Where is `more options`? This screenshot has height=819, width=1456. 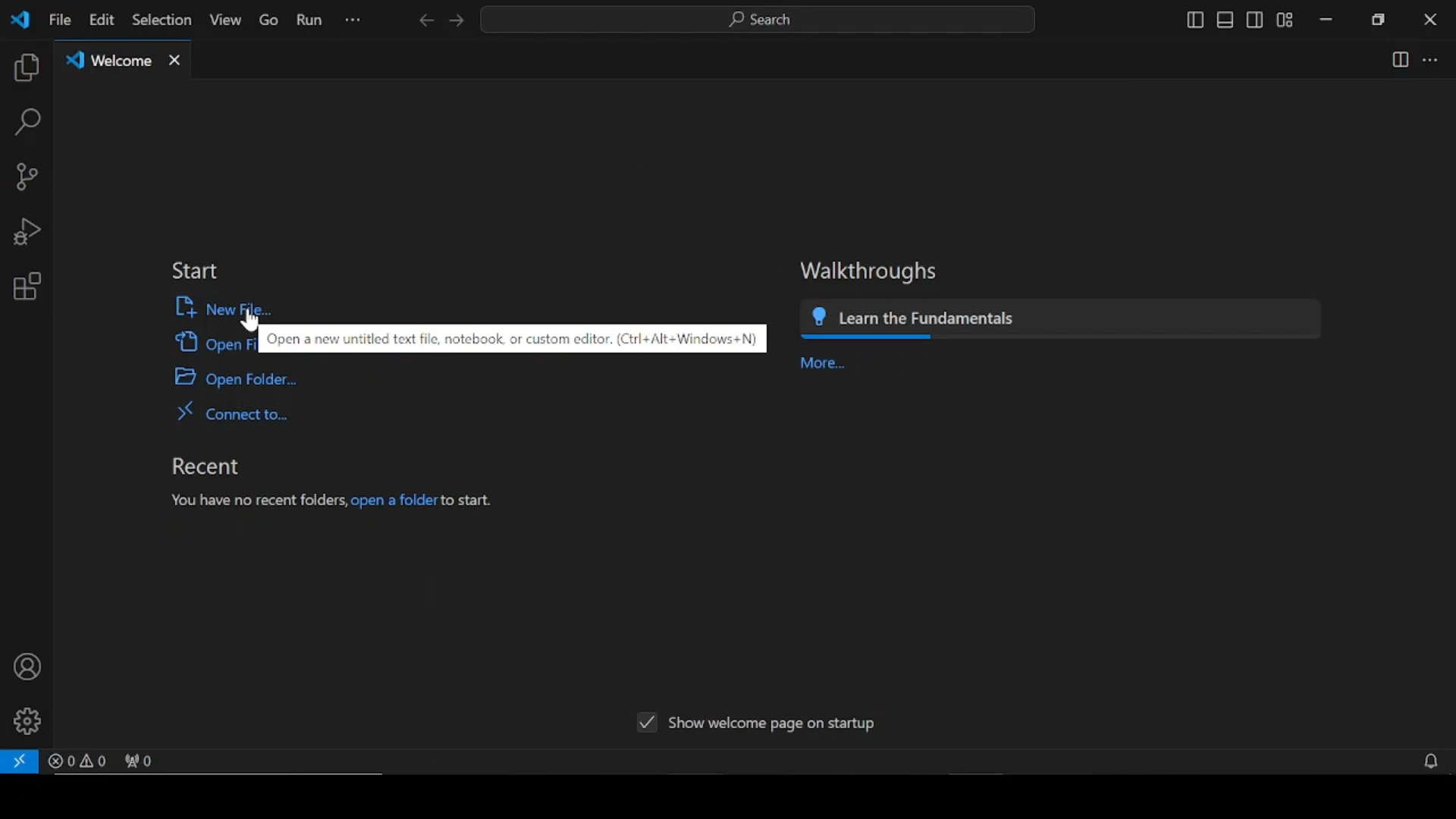
more options is located at coordinates (354, 20).